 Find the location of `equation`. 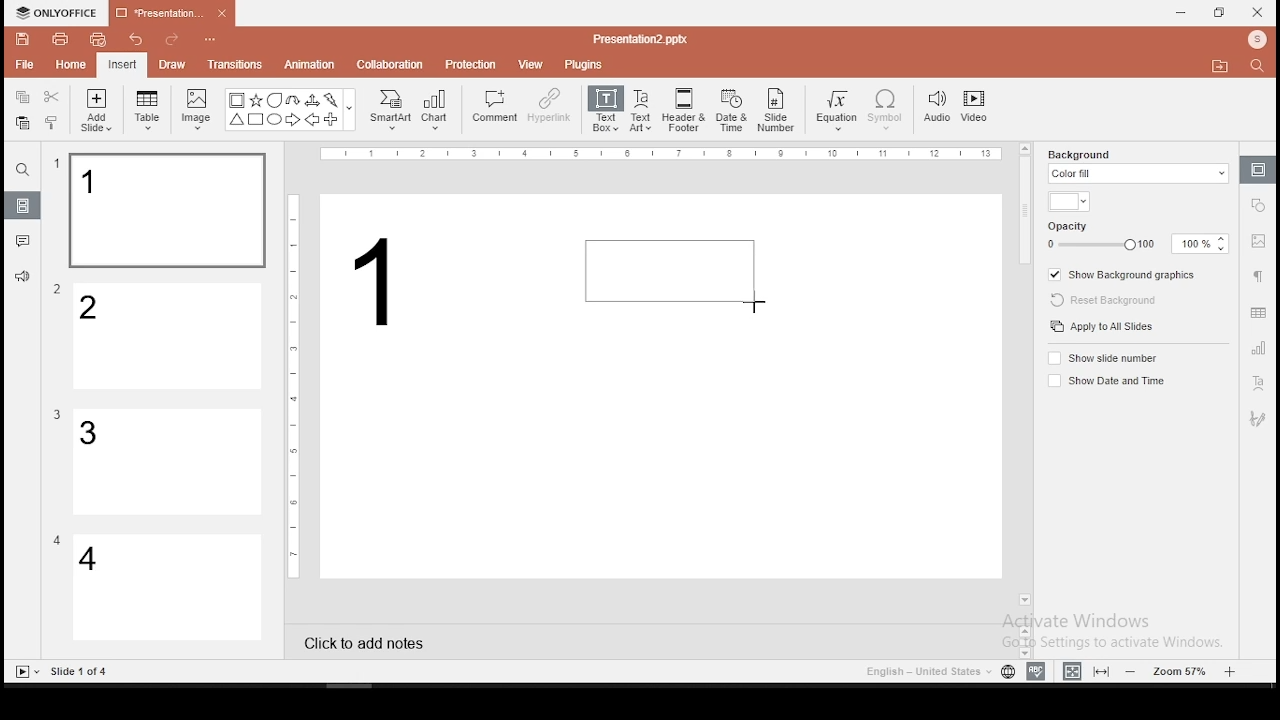

equation is located at coordinates (835, 111).